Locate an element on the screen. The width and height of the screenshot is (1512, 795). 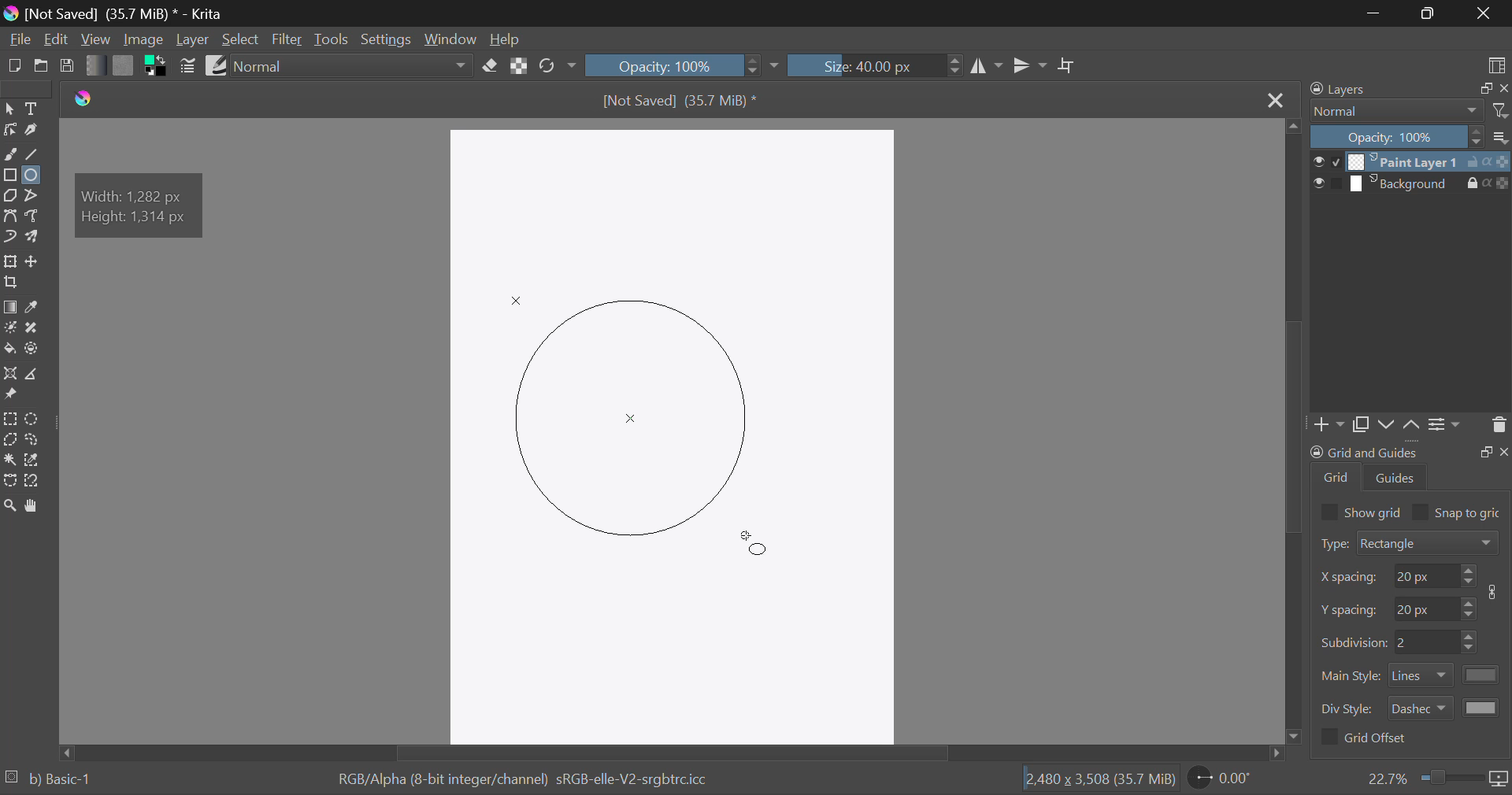
Smart Patch Tool is located at coordinates (32, 328).